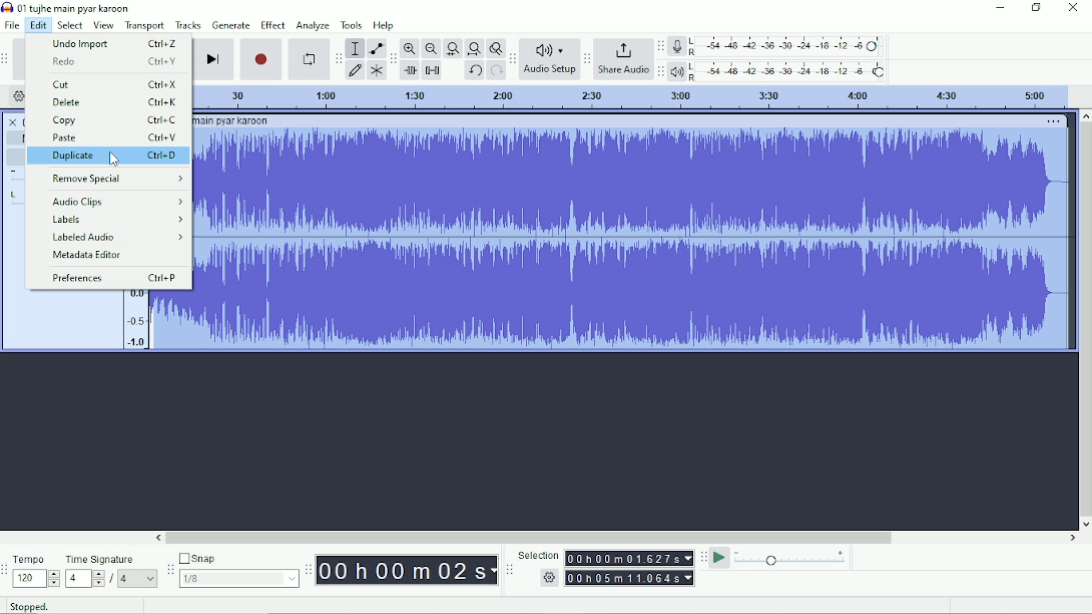 This screenshot has height=614, width=1092. I want to click on Multi-tool, so click(375, 70).